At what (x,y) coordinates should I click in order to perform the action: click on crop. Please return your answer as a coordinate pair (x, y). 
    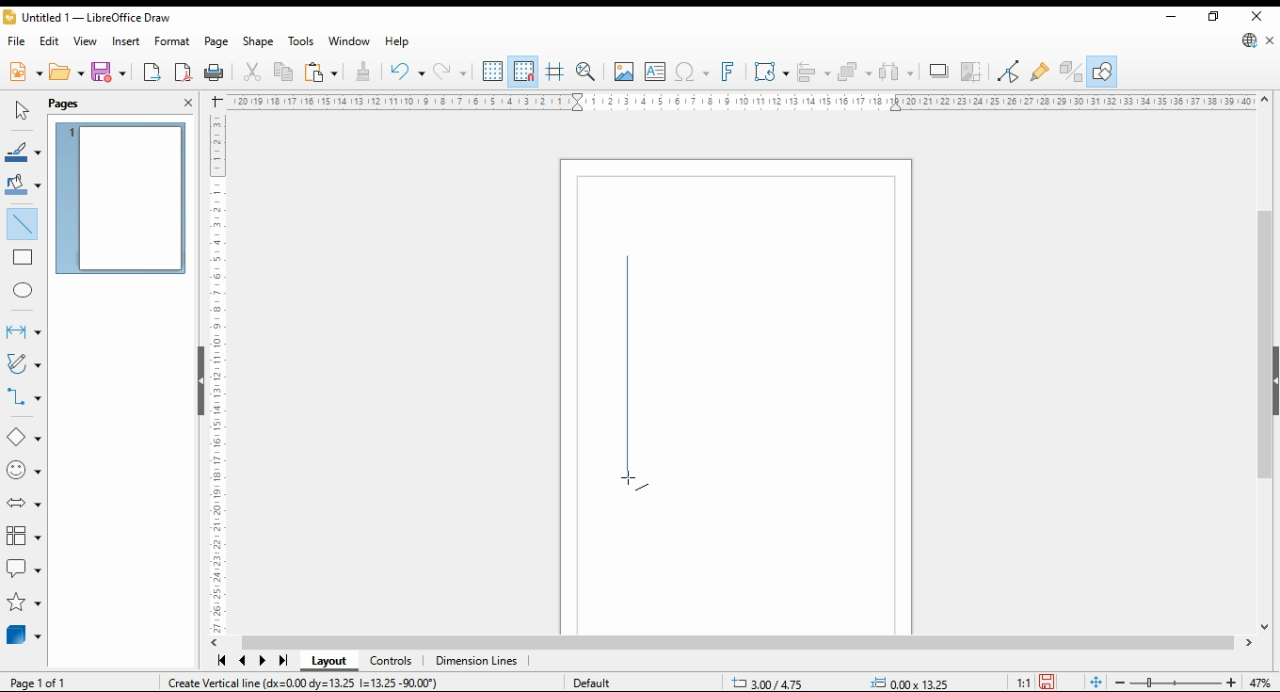
    Looking at the image, I should click on (972, 71).